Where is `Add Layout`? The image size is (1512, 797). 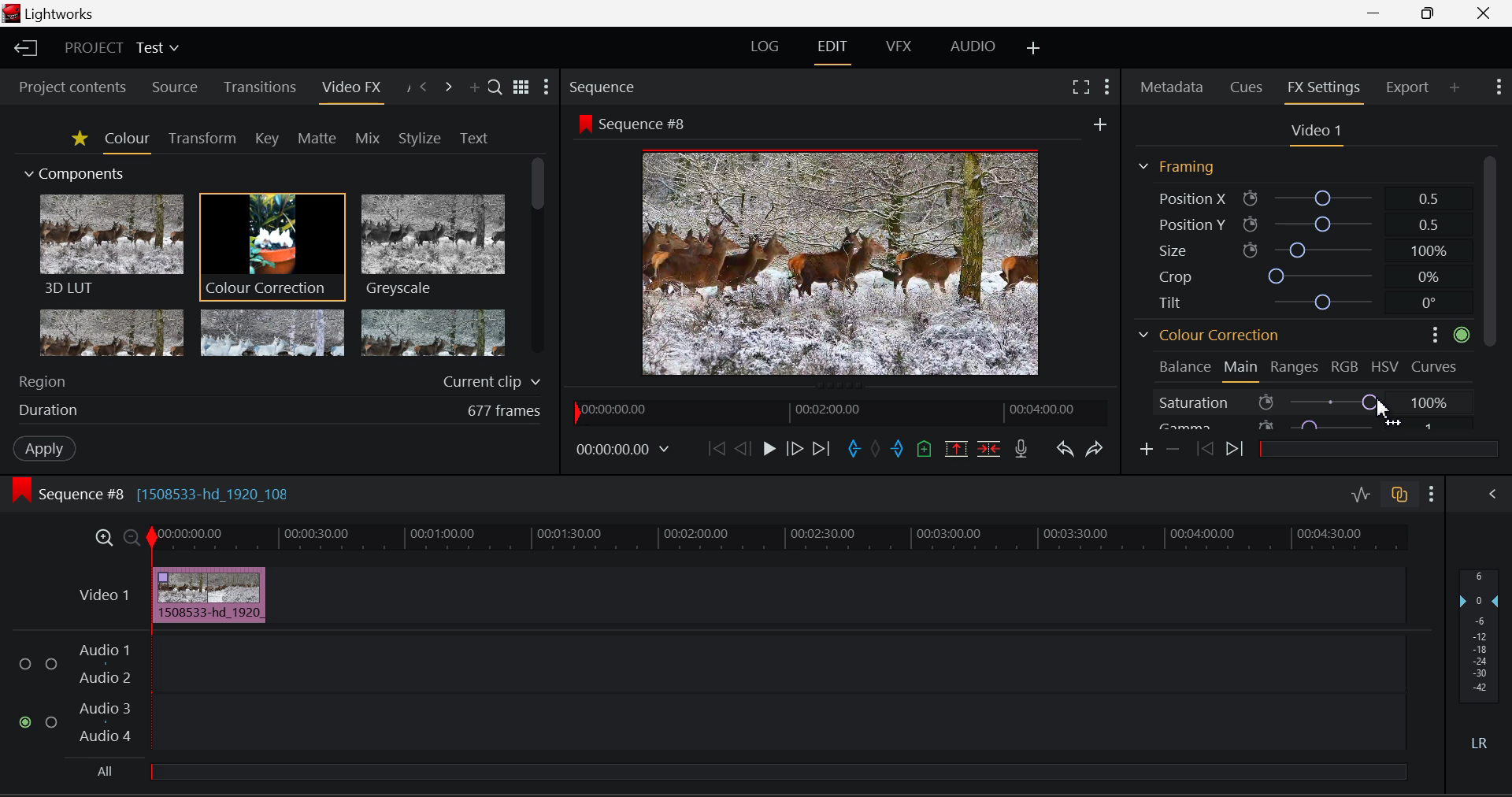 Add Layout is located at coordinates (1034, 46).